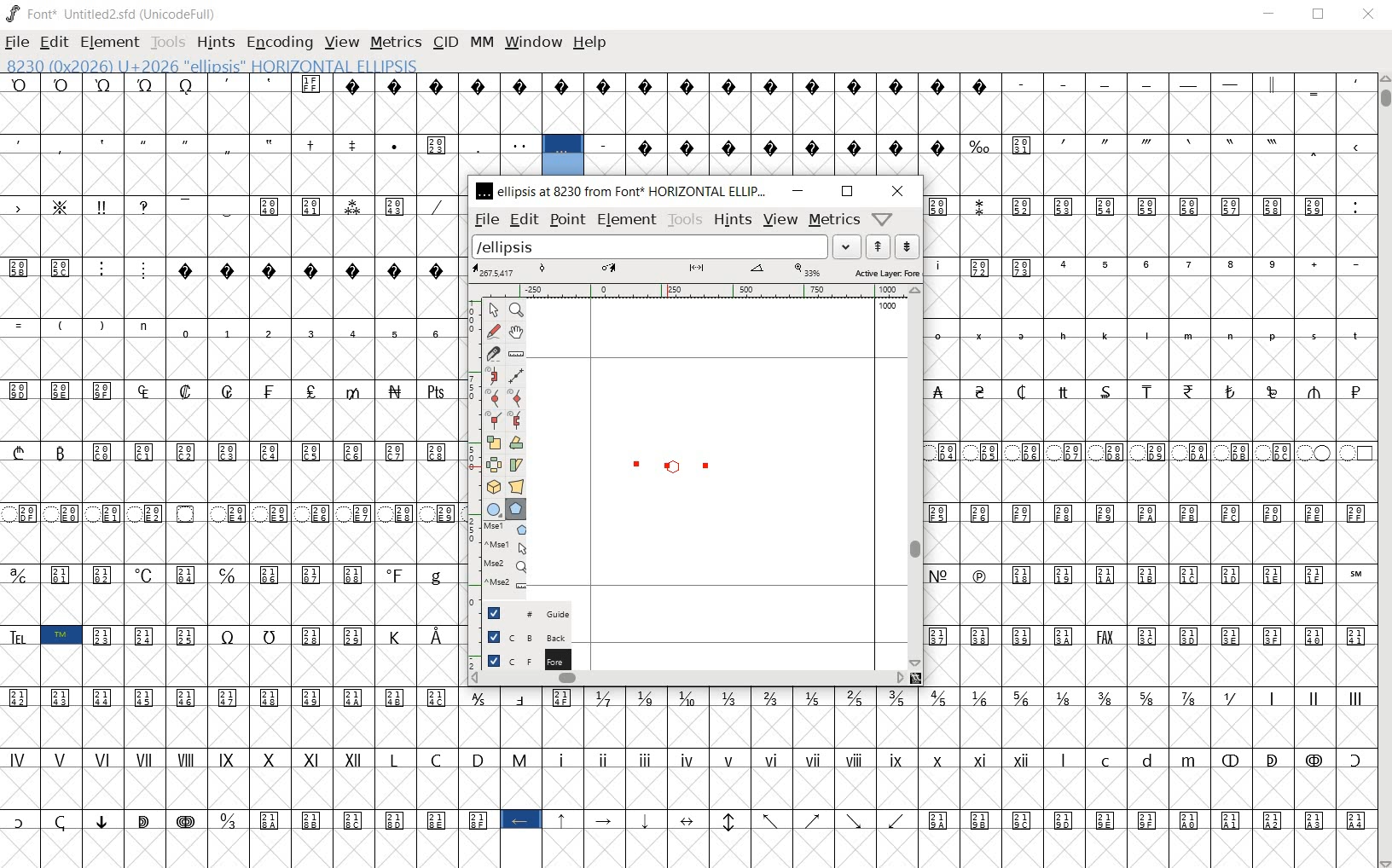 The height and width of the screenshot is (868, 1392). Describe the element at coordinates (522, 219) in the screenshot. I see `edit` at that location.